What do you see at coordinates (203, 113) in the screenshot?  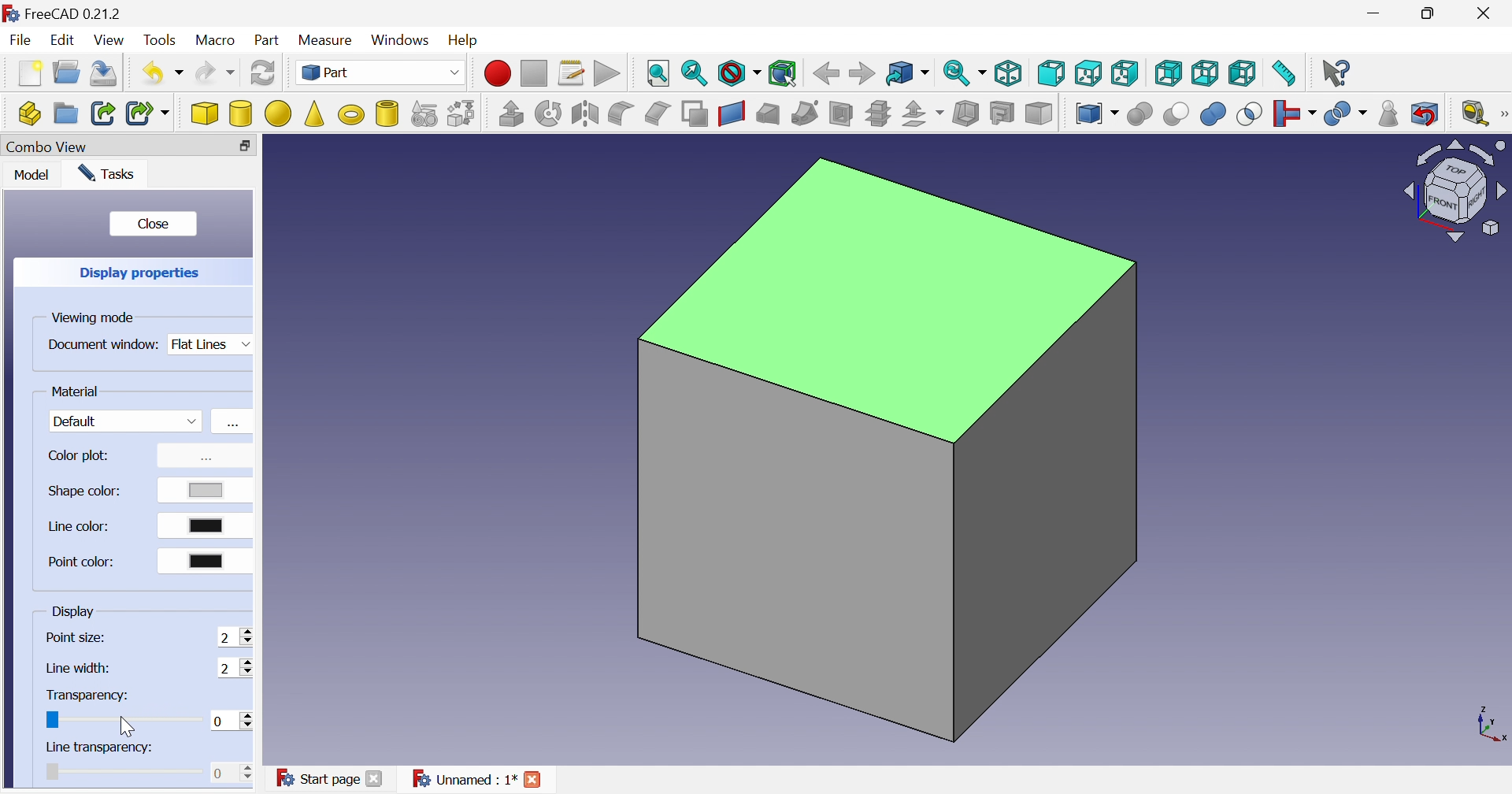 I see `Cube` at bounding box center [203, 113].